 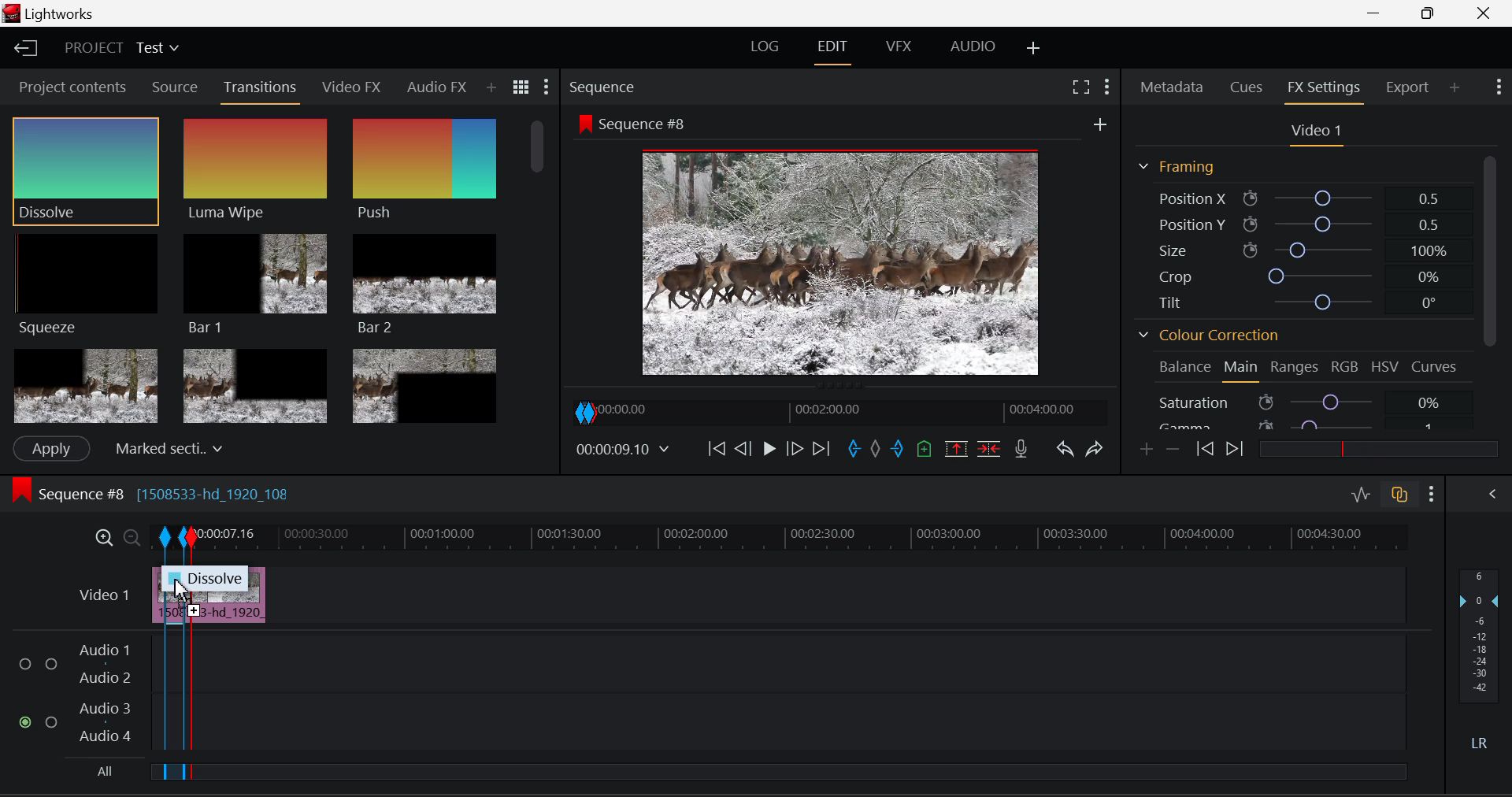 I want to click on Go Back, so click(x=743, y=450).